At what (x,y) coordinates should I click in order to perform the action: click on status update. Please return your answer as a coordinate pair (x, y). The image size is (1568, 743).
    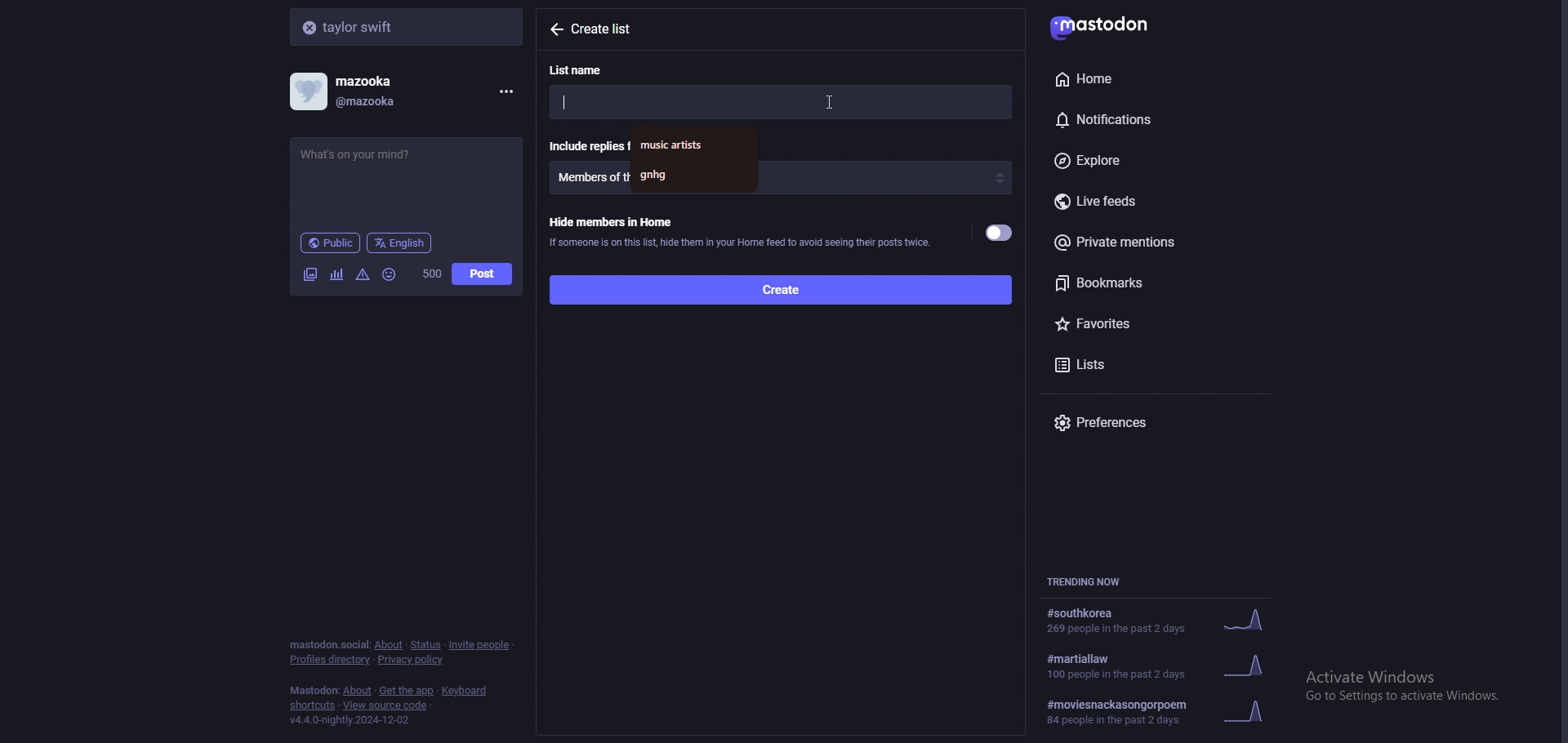
    Looking at the image, I should click on (370, 154).